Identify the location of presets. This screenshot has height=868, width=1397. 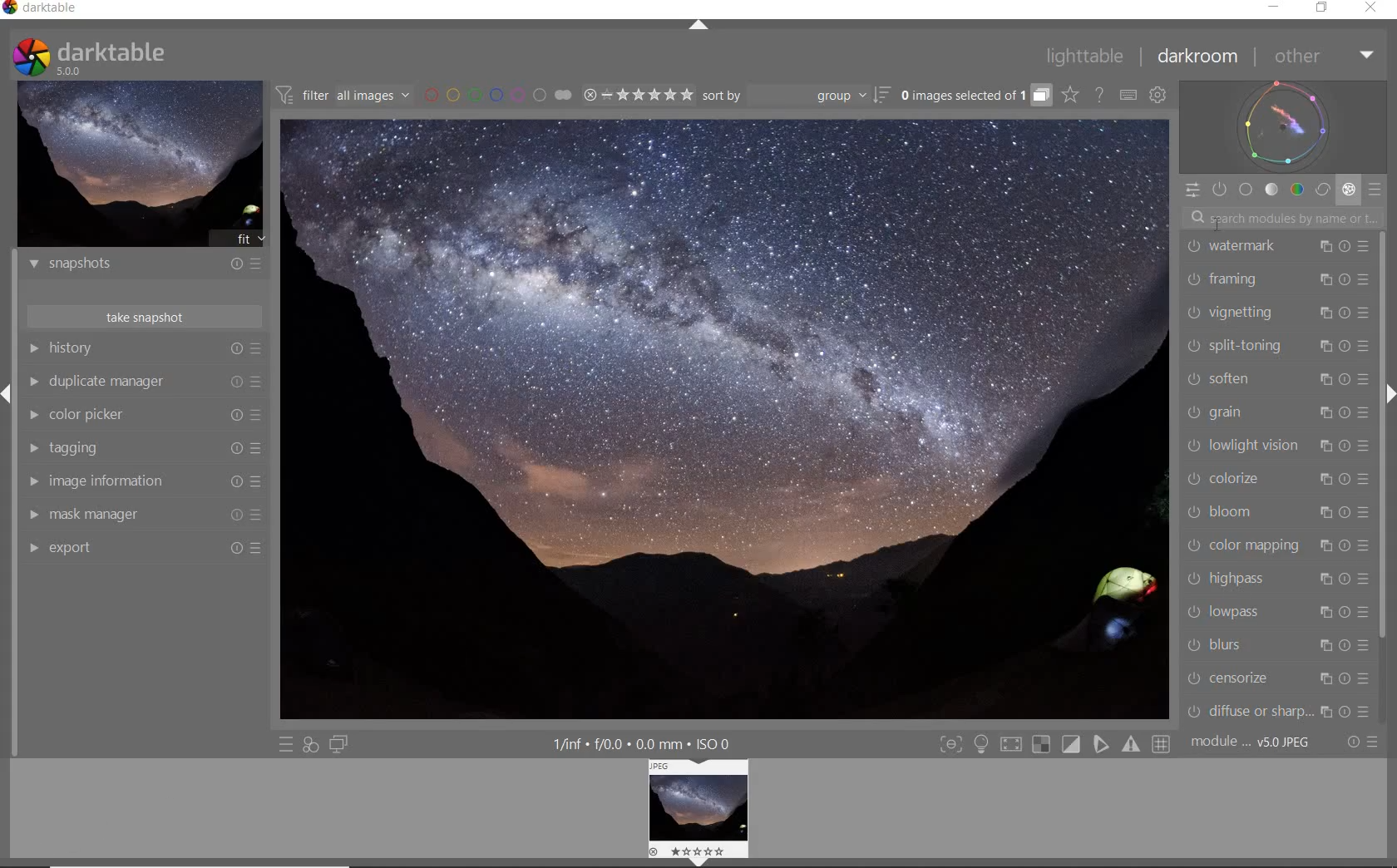
(1365, 546).